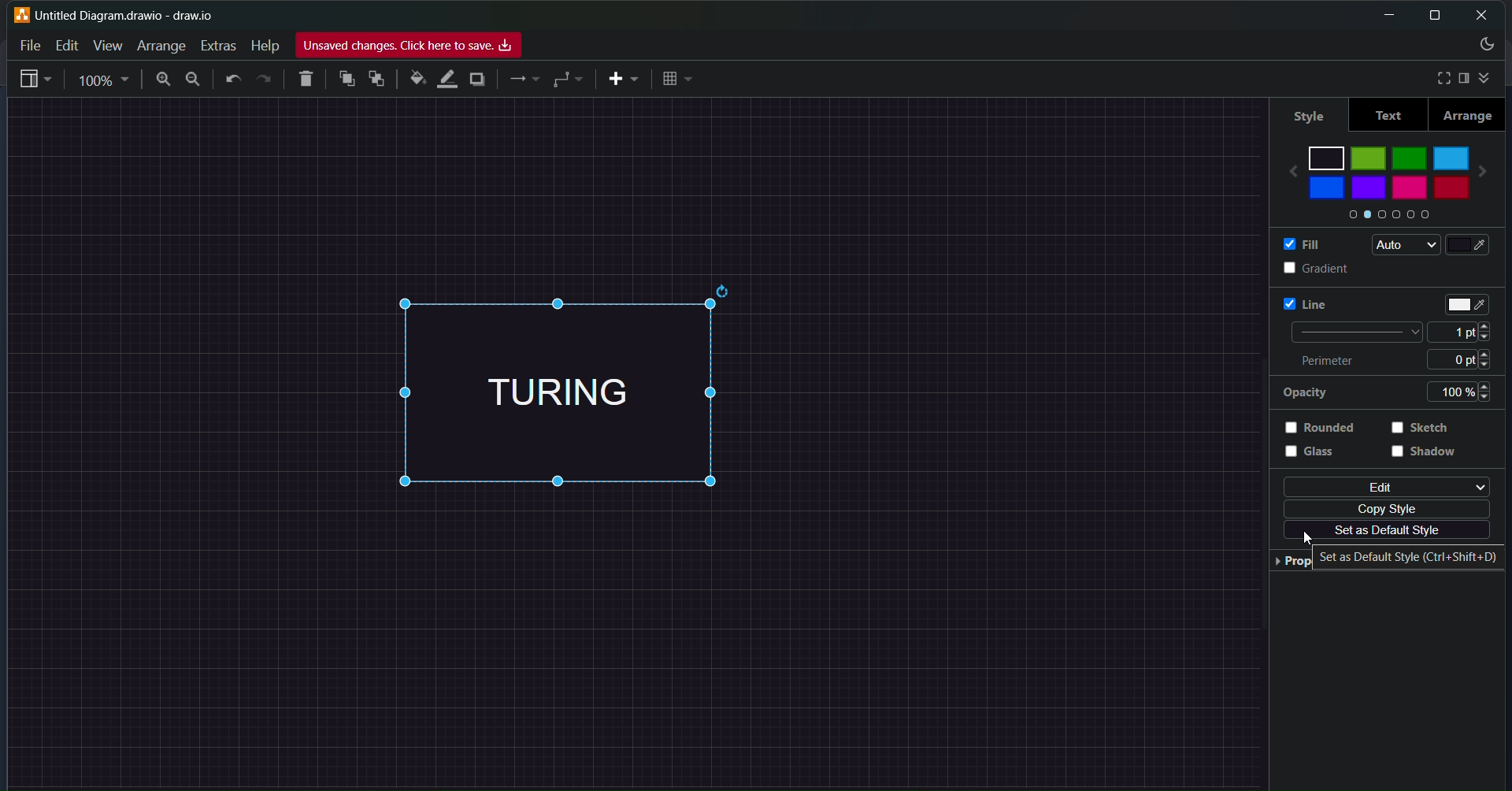 This screenshot has width=1512, height=791. What do you see at coordinates (1477, 245) in the screenshot?
I see `fill color` at bounding box center [1477, 245].